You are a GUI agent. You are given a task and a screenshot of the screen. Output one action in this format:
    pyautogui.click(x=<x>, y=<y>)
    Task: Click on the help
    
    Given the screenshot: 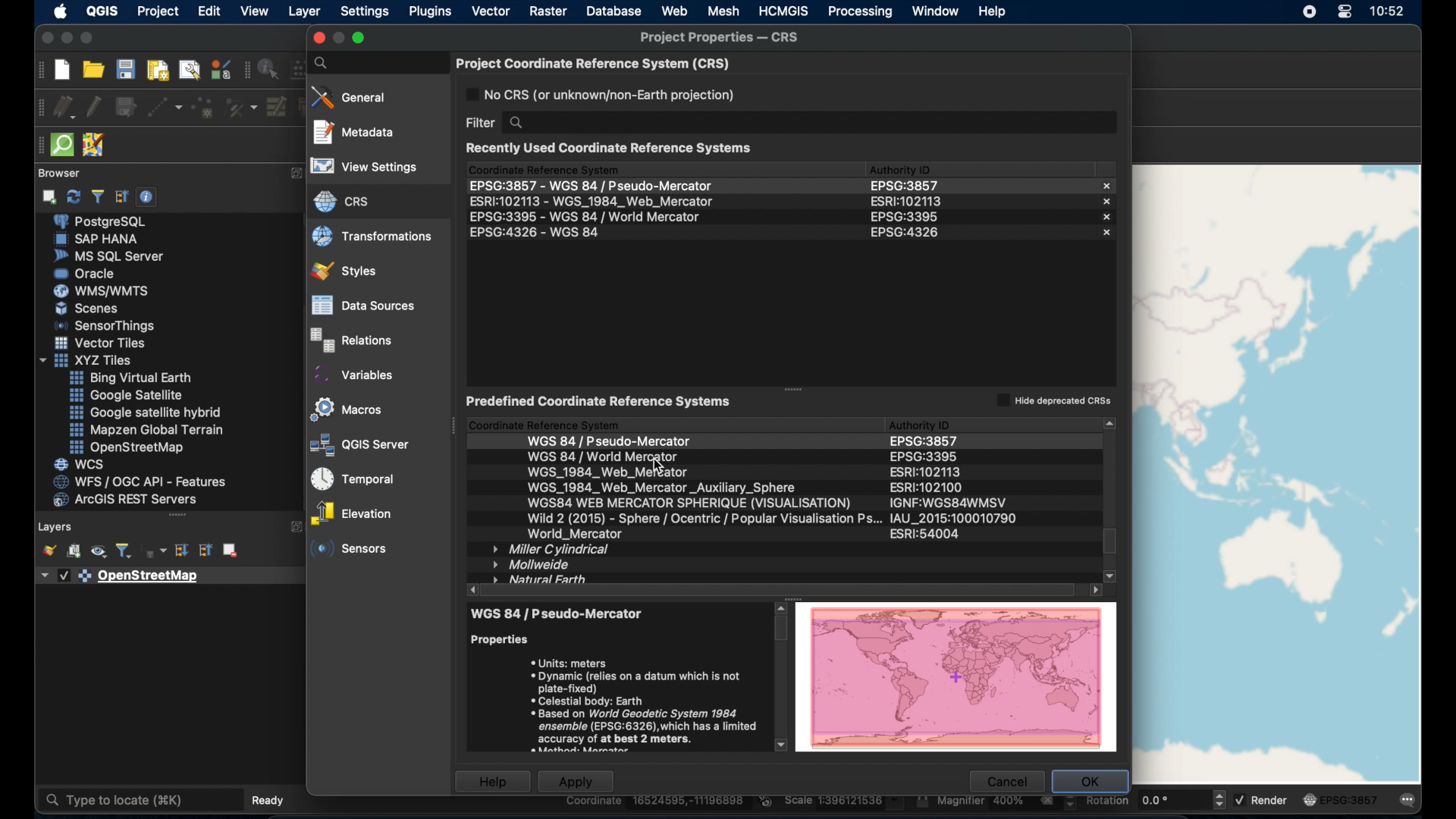 What is the action you would take?
    pyautogui.click(x=493, y=780)
    